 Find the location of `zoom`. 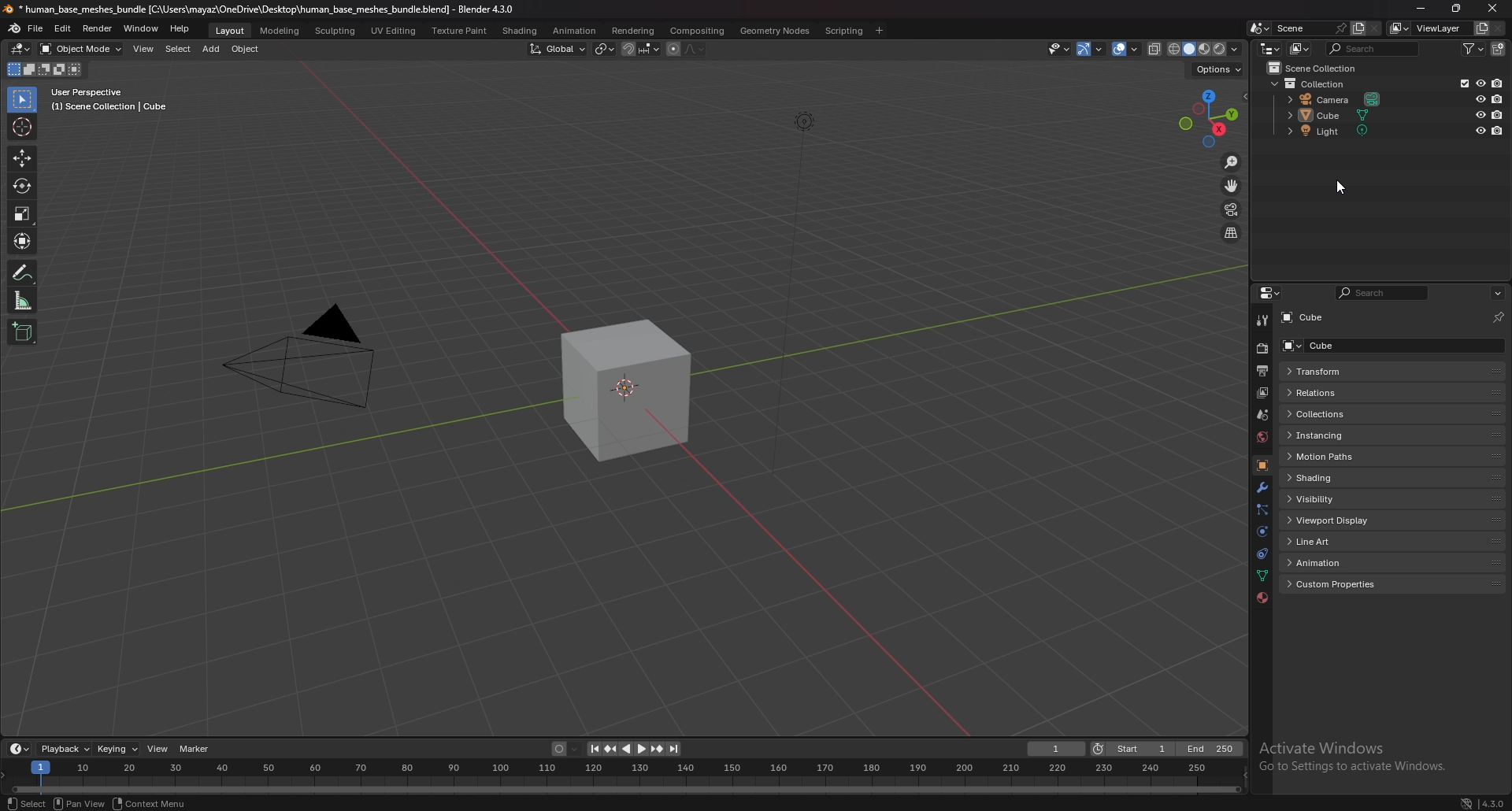

zoom is located at coordinates (1232, 161).